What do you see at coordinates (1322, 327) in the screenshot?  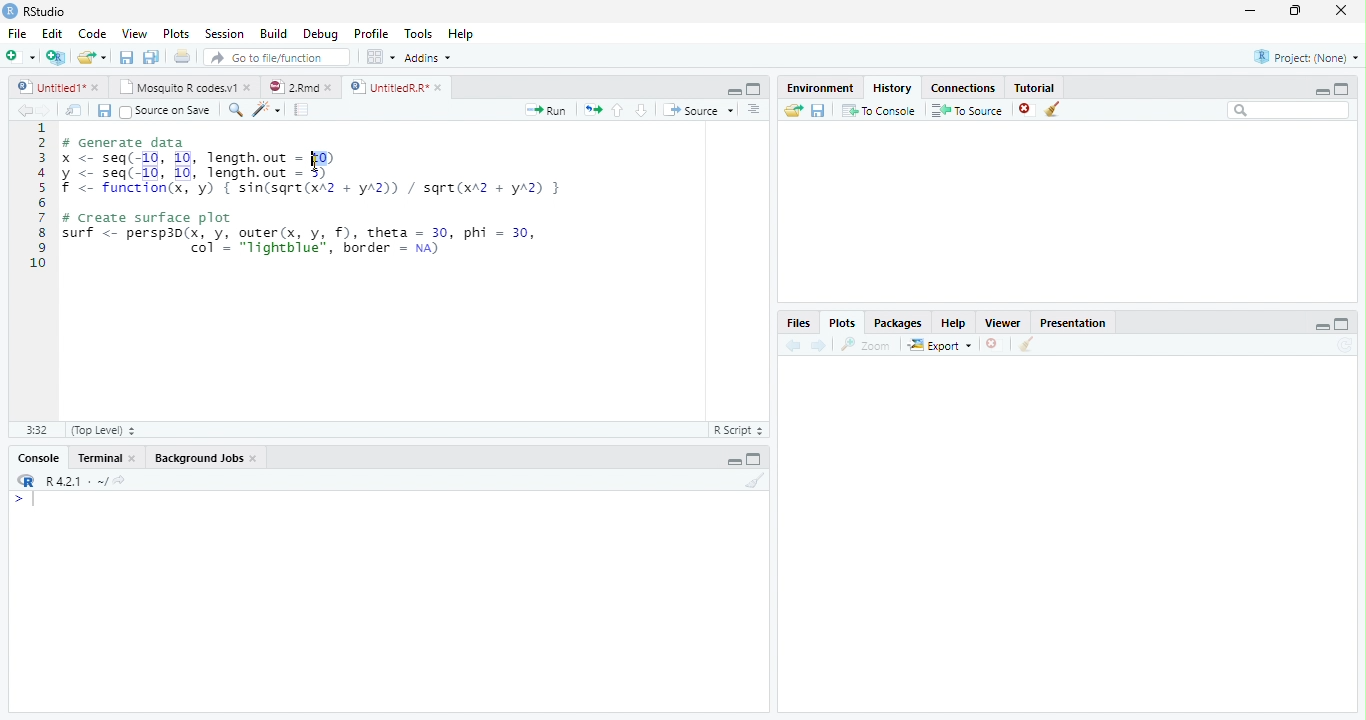 I see `minimize` at bounding box center [1322, 327].